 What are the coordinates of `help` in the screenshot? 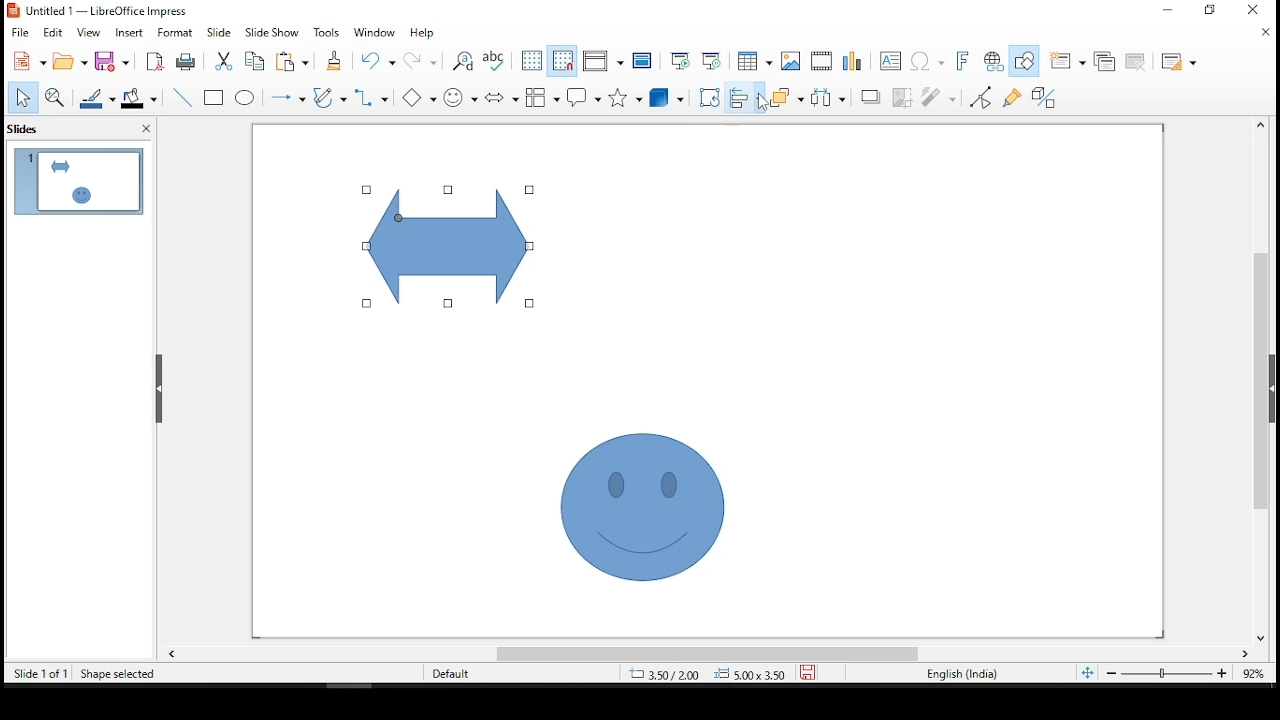 It's located at (422, 36).